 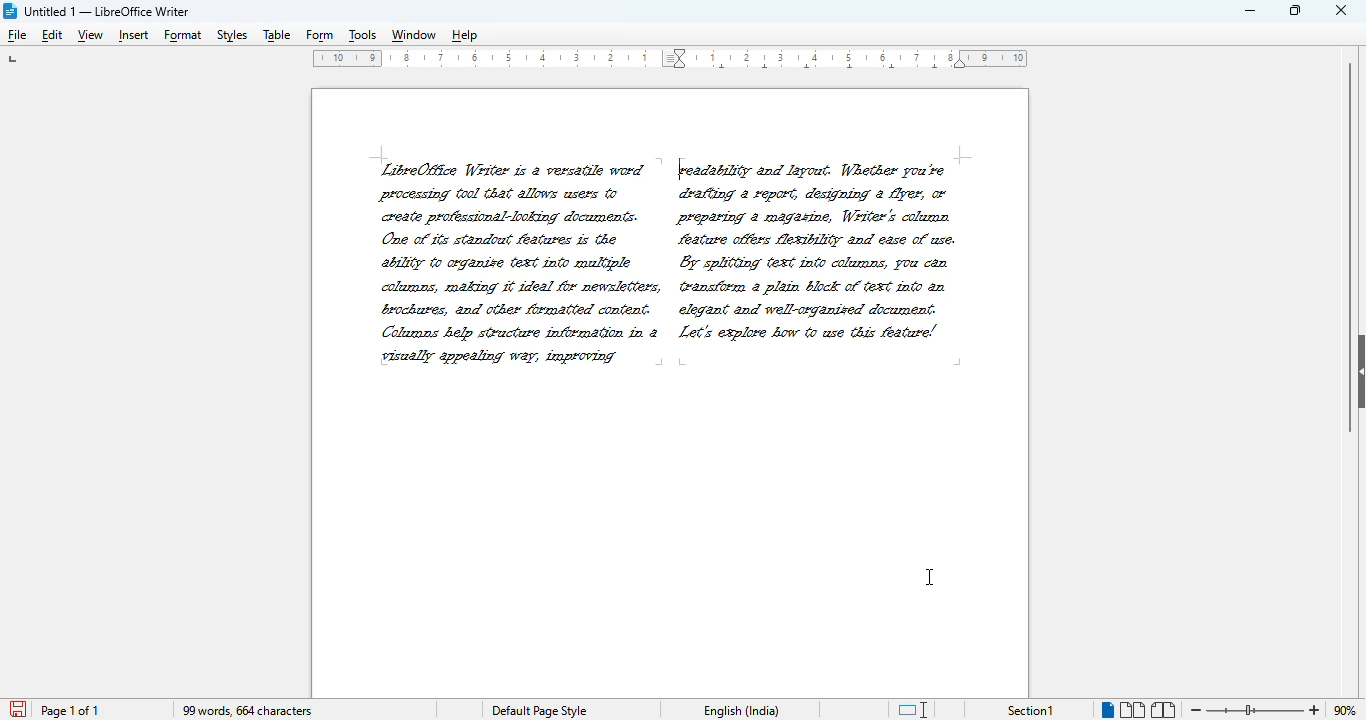 I want to click on maximize, so click(x=1295, y=10).